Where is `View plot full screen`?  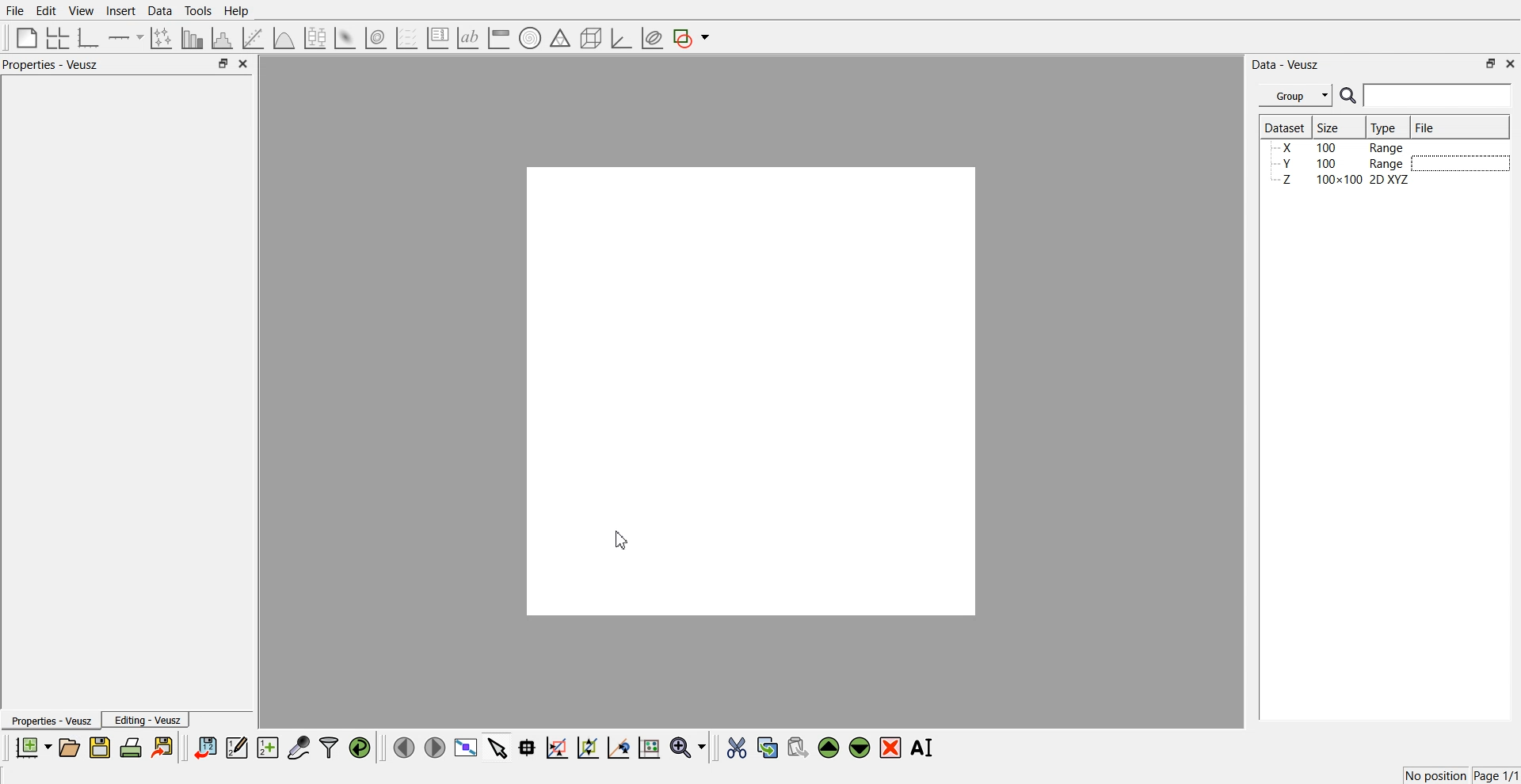
View plot full screen is located at coordinates (467, 747).